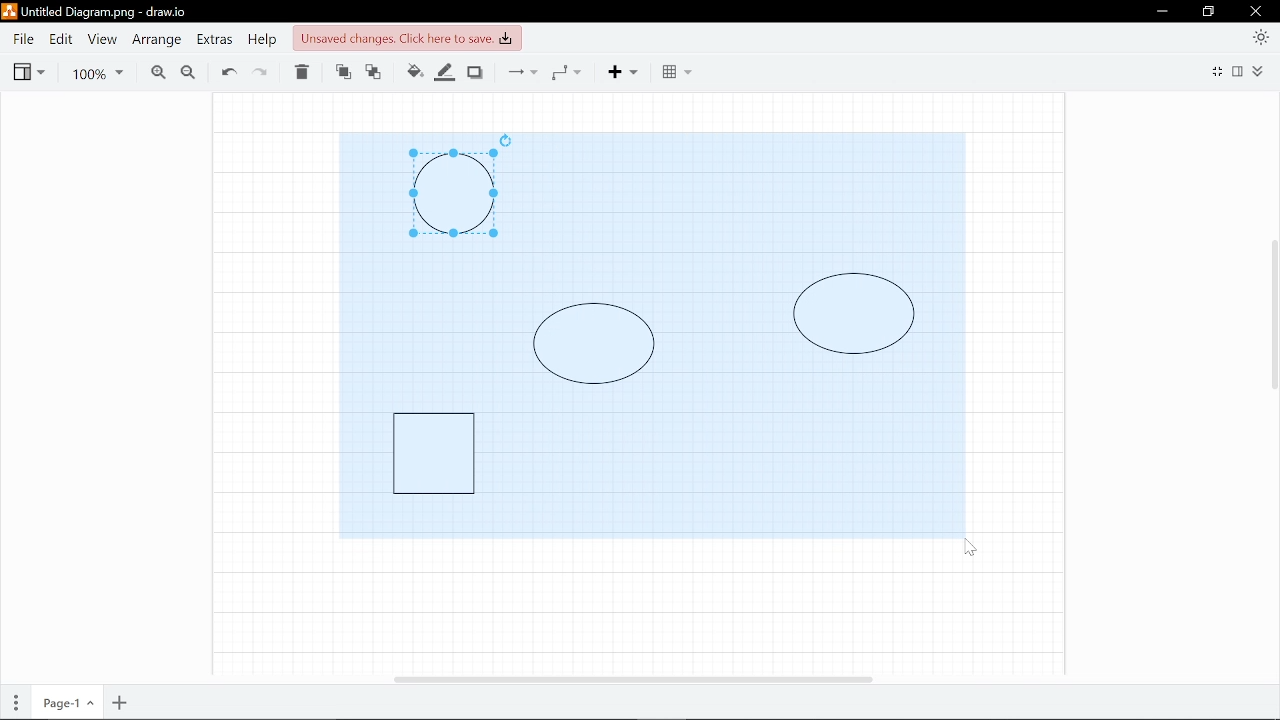 The image size is (1280, 720). What do you see at coordinates (100, 39) in the screenshot?
I see `View` at bounding box center [100, 39].